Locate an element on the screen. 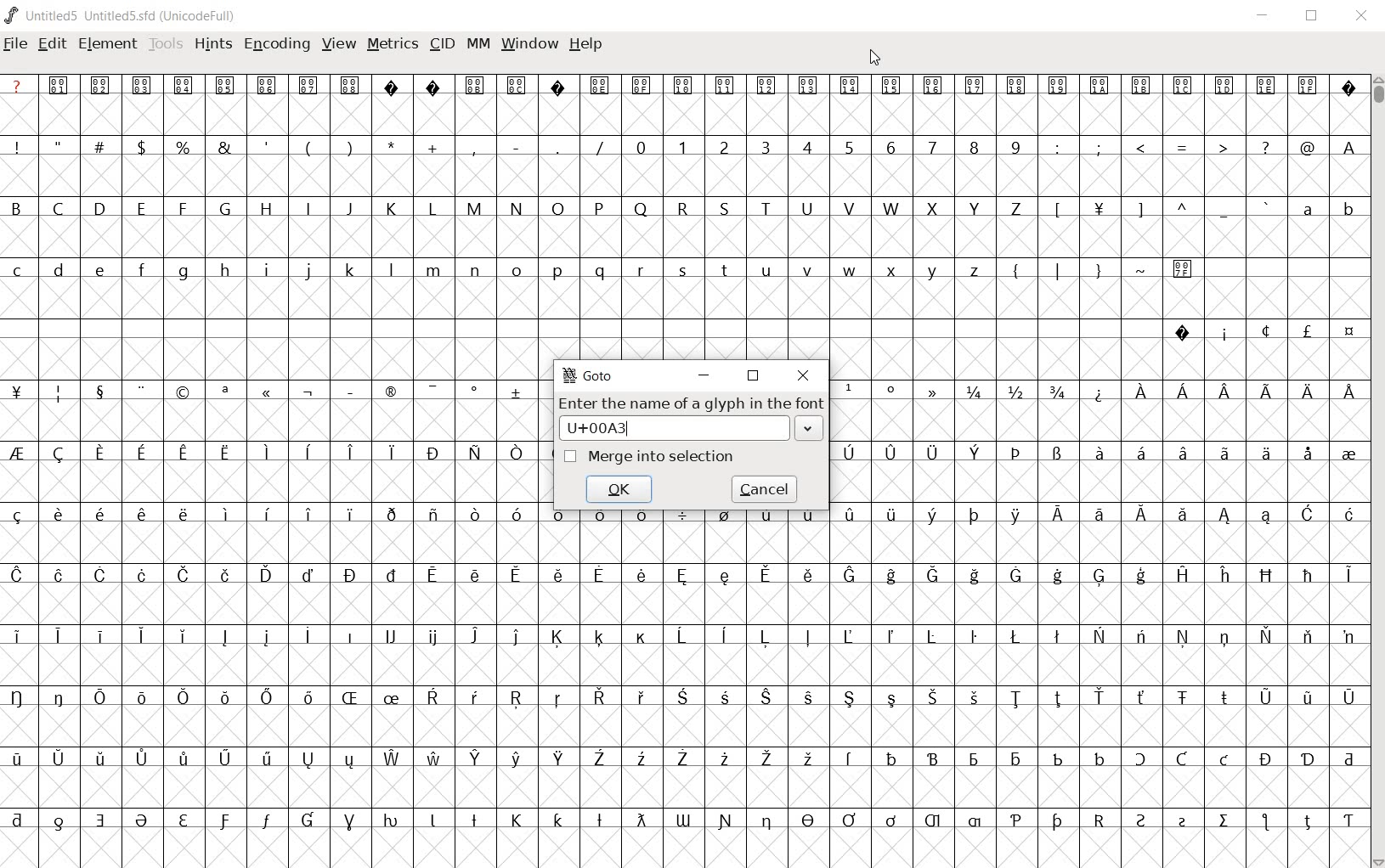 This screenshot has height=868, width=1385. Q is located at coordinates (638, 209).